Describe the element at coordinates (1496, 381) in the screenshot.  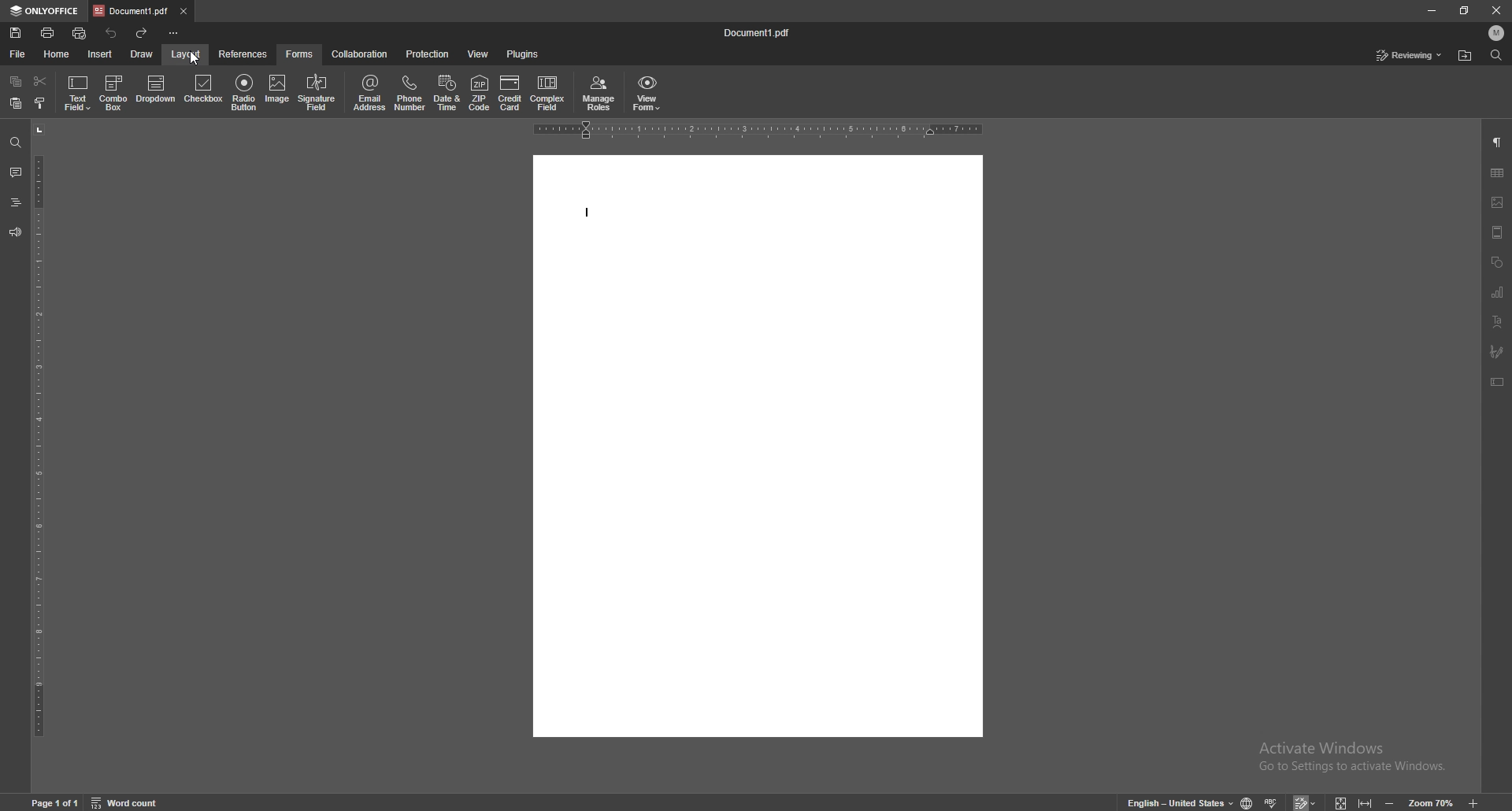
I see `text box` at that location.